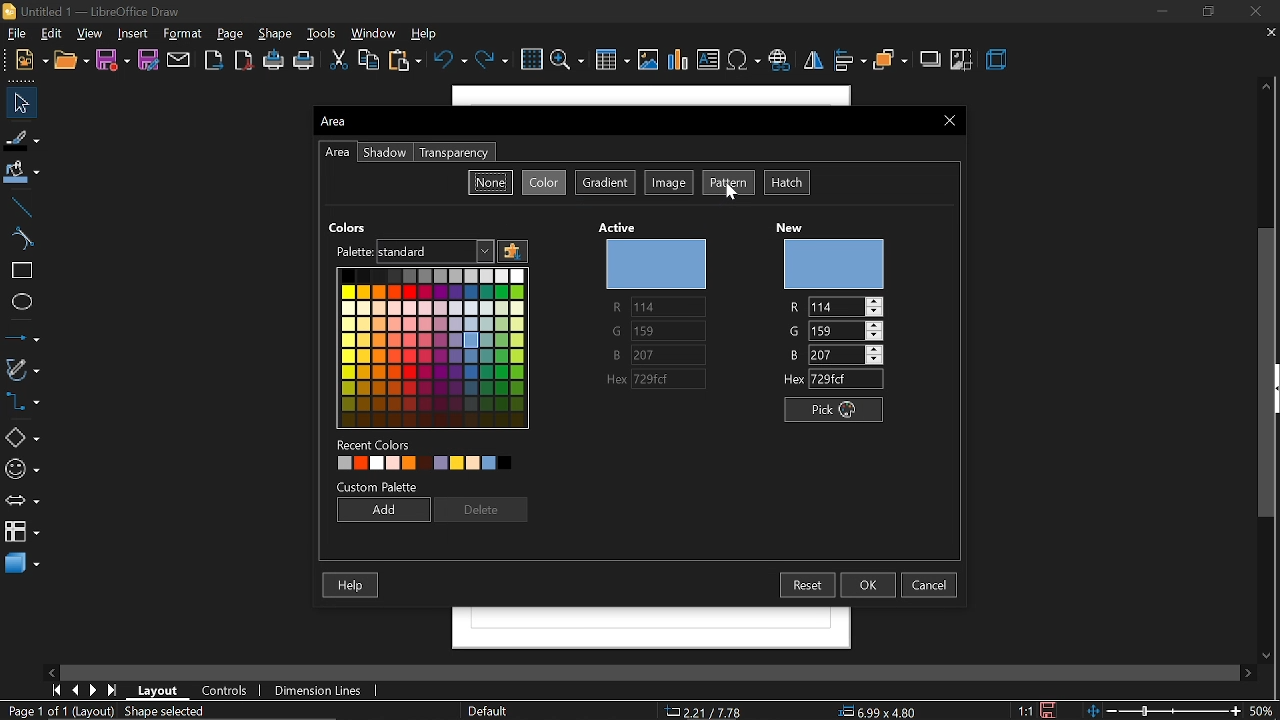  Describe the element at coordinates (20, 401) in the screenshot. I see `connector` at that location.